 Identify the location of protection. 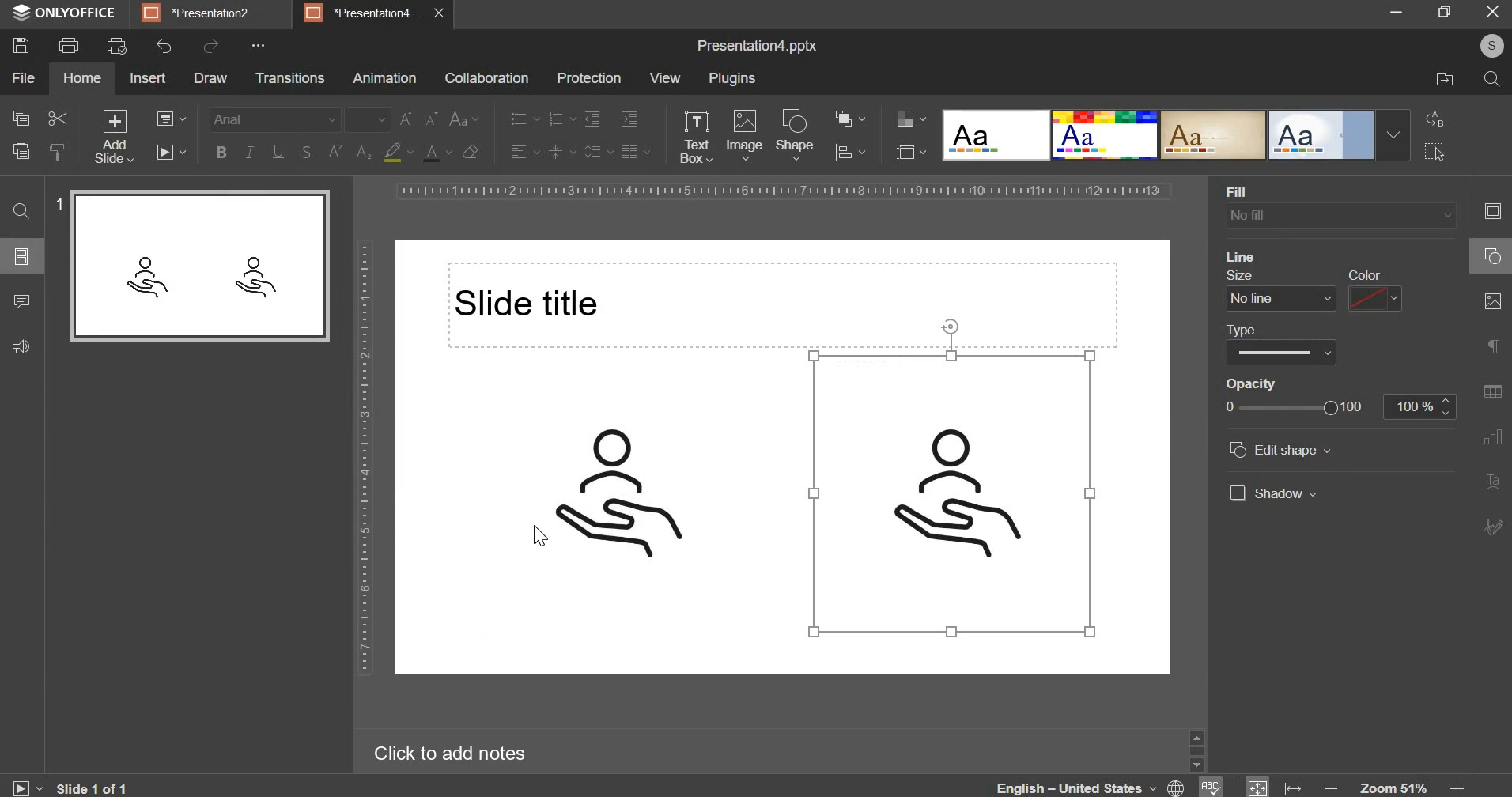
(590, 78).